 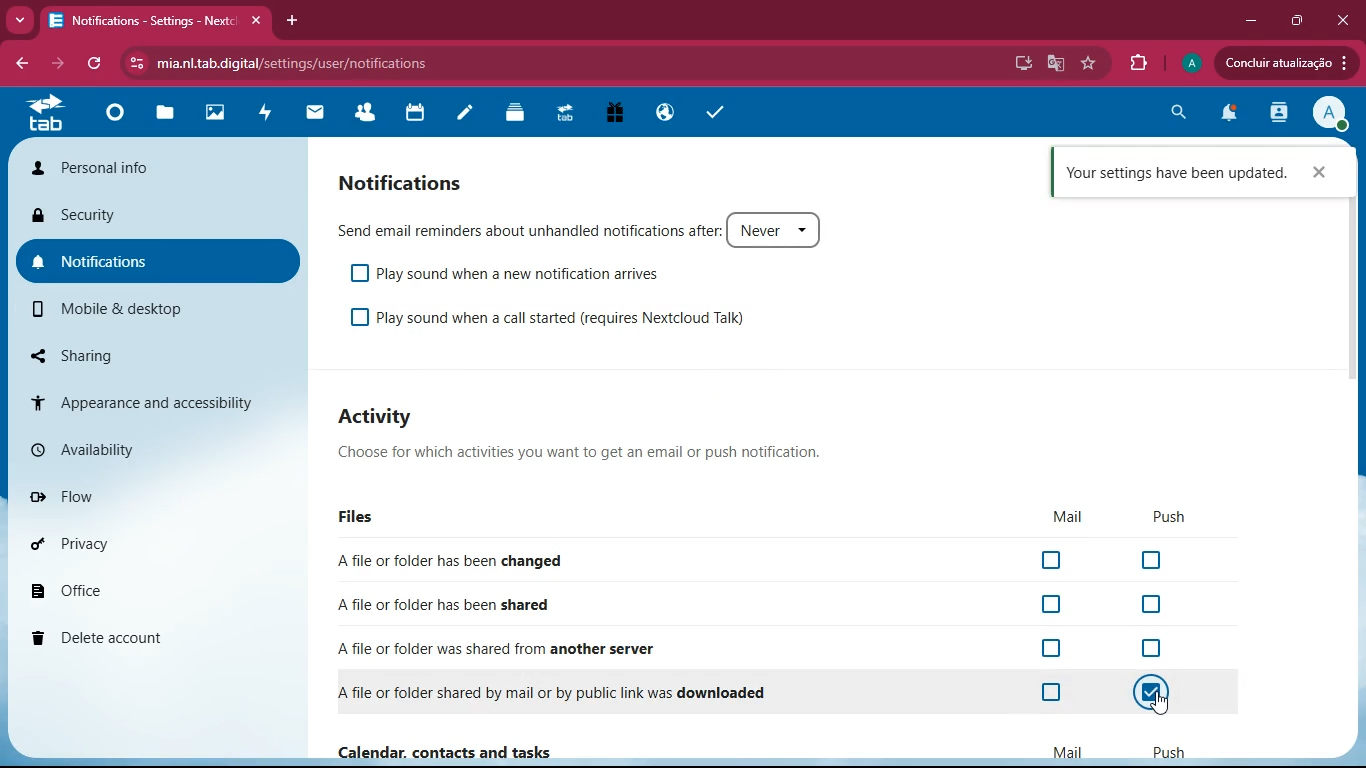 What do you see at coordinates (38, 112) in the screenshot?
I see `tab` at bounding box center [38, 112].